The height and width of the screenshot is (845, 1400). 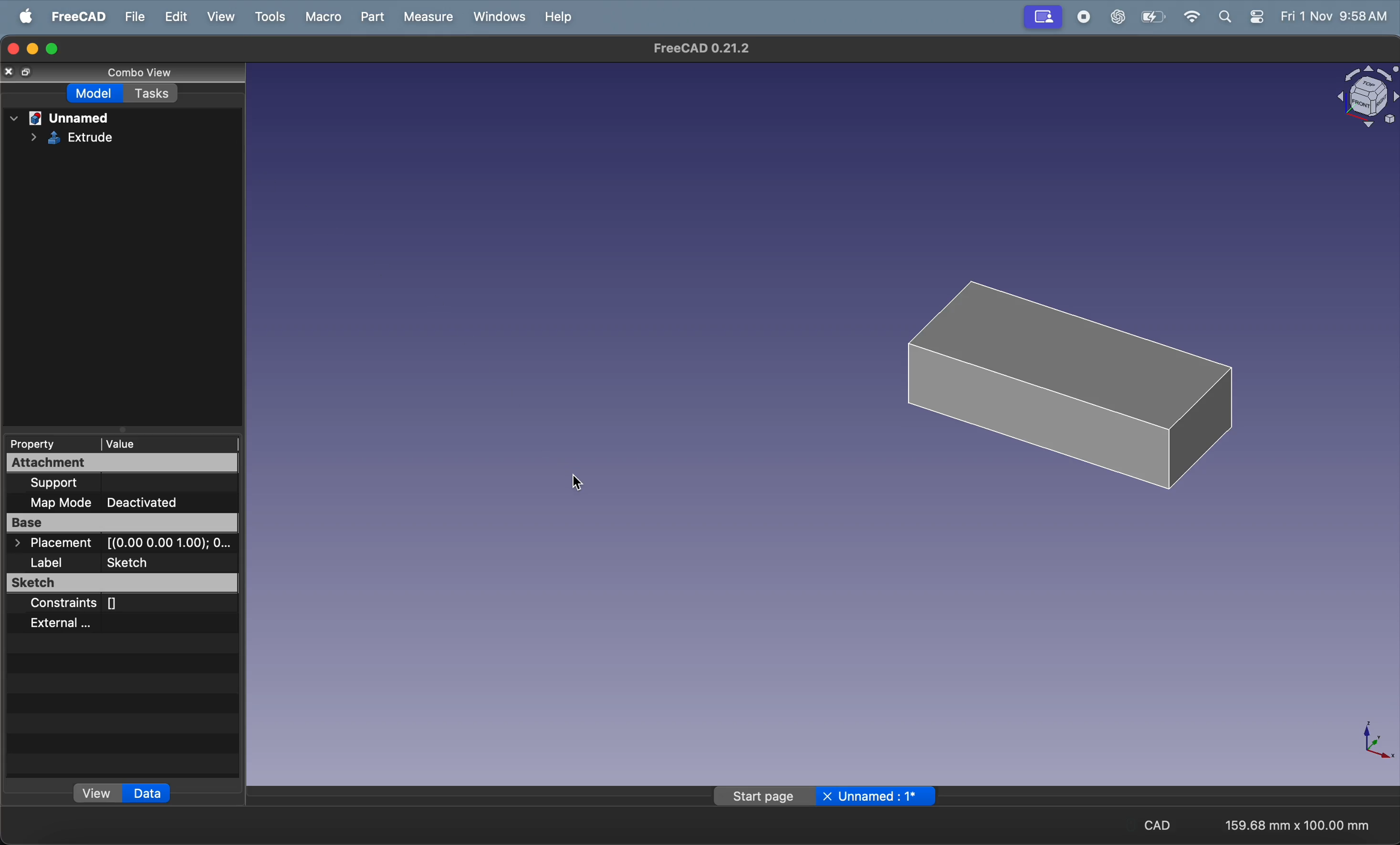 I want to click on page name unamed, so click(x=827, y=795).